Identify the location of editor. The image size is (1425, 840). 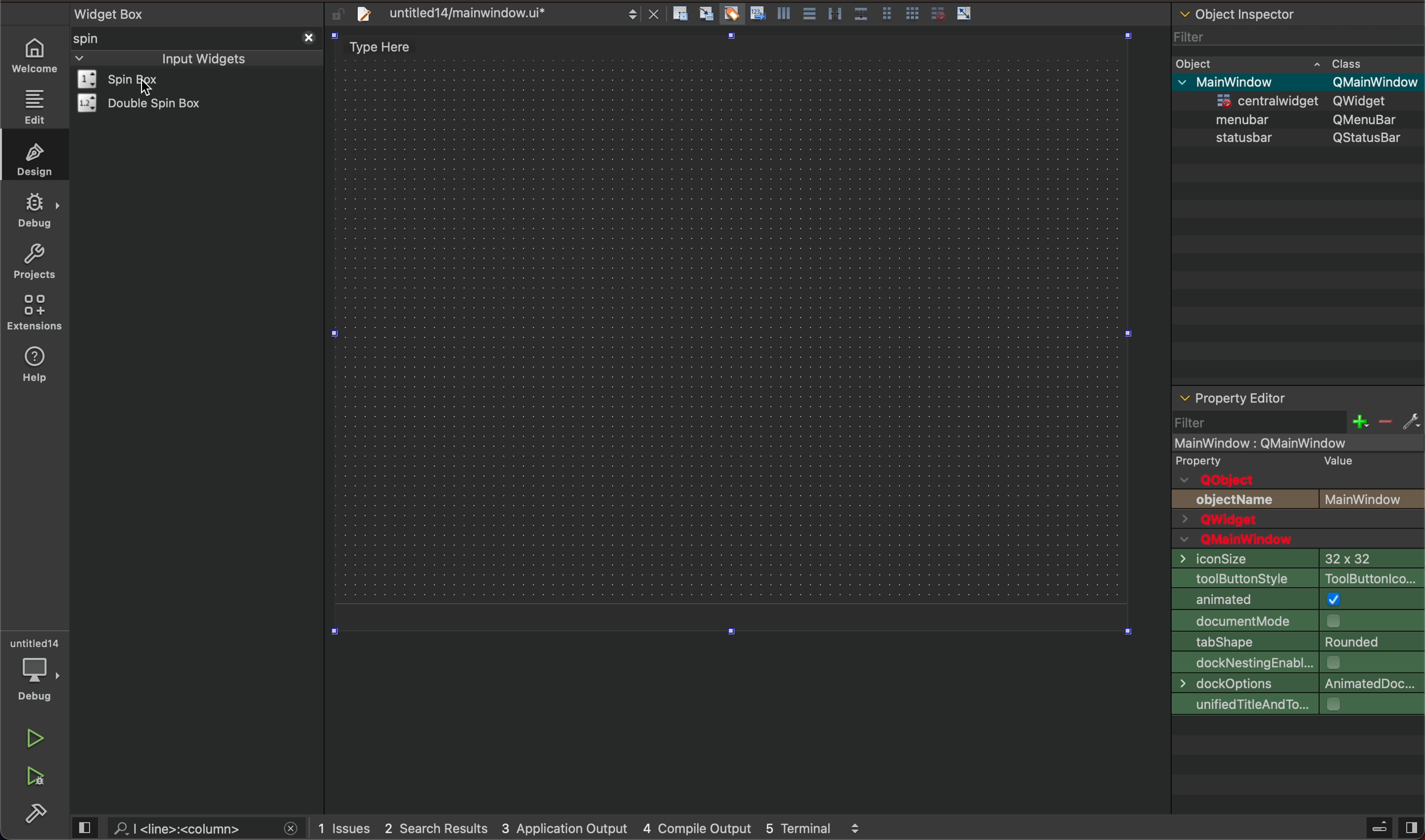
(1233, 398).